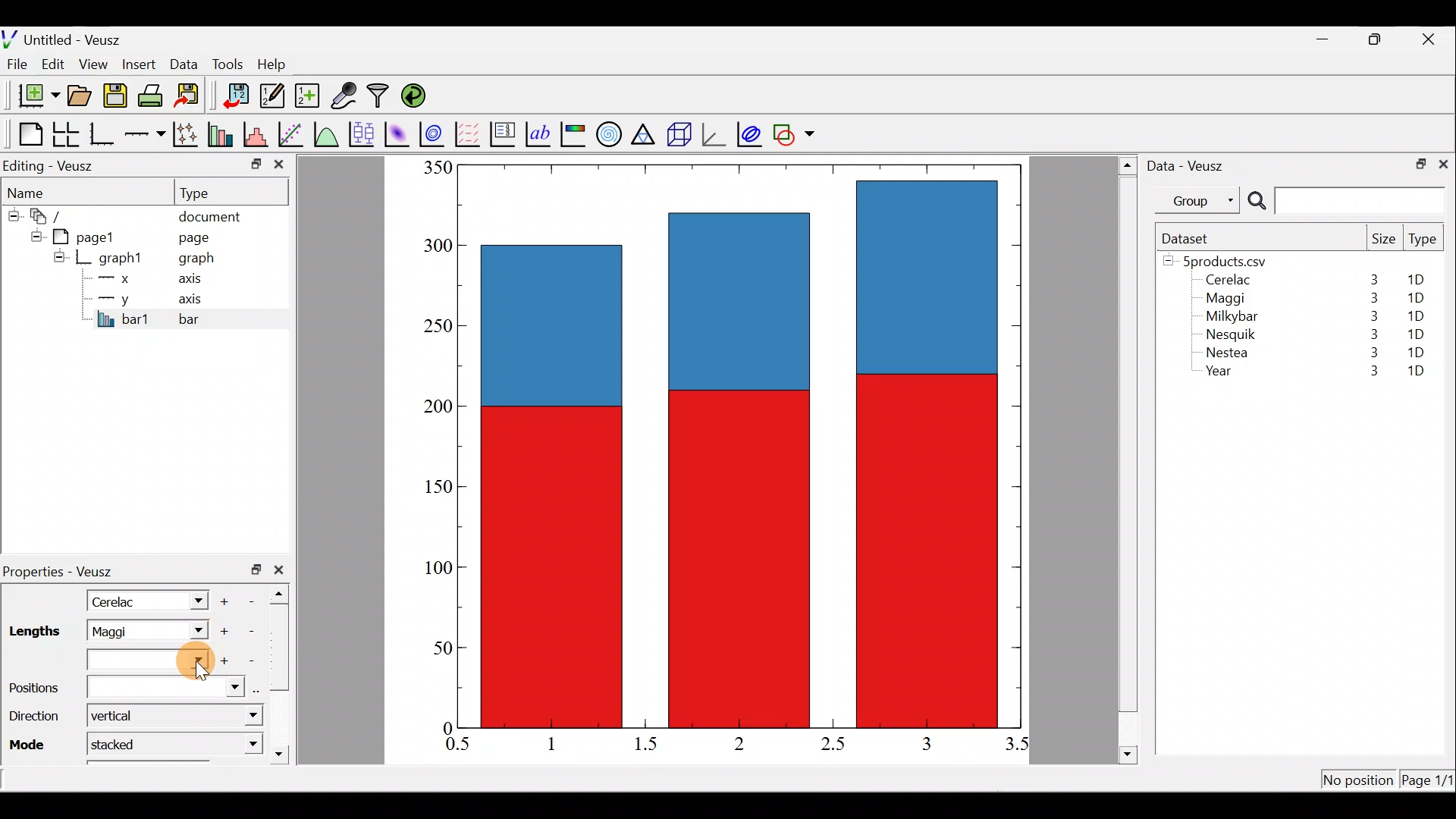 The height and width of the screenshot is (819, 1456). What do you see at coordinates (193, 237) in the screenshot?
I see `page` at bounding box center [193, 237].